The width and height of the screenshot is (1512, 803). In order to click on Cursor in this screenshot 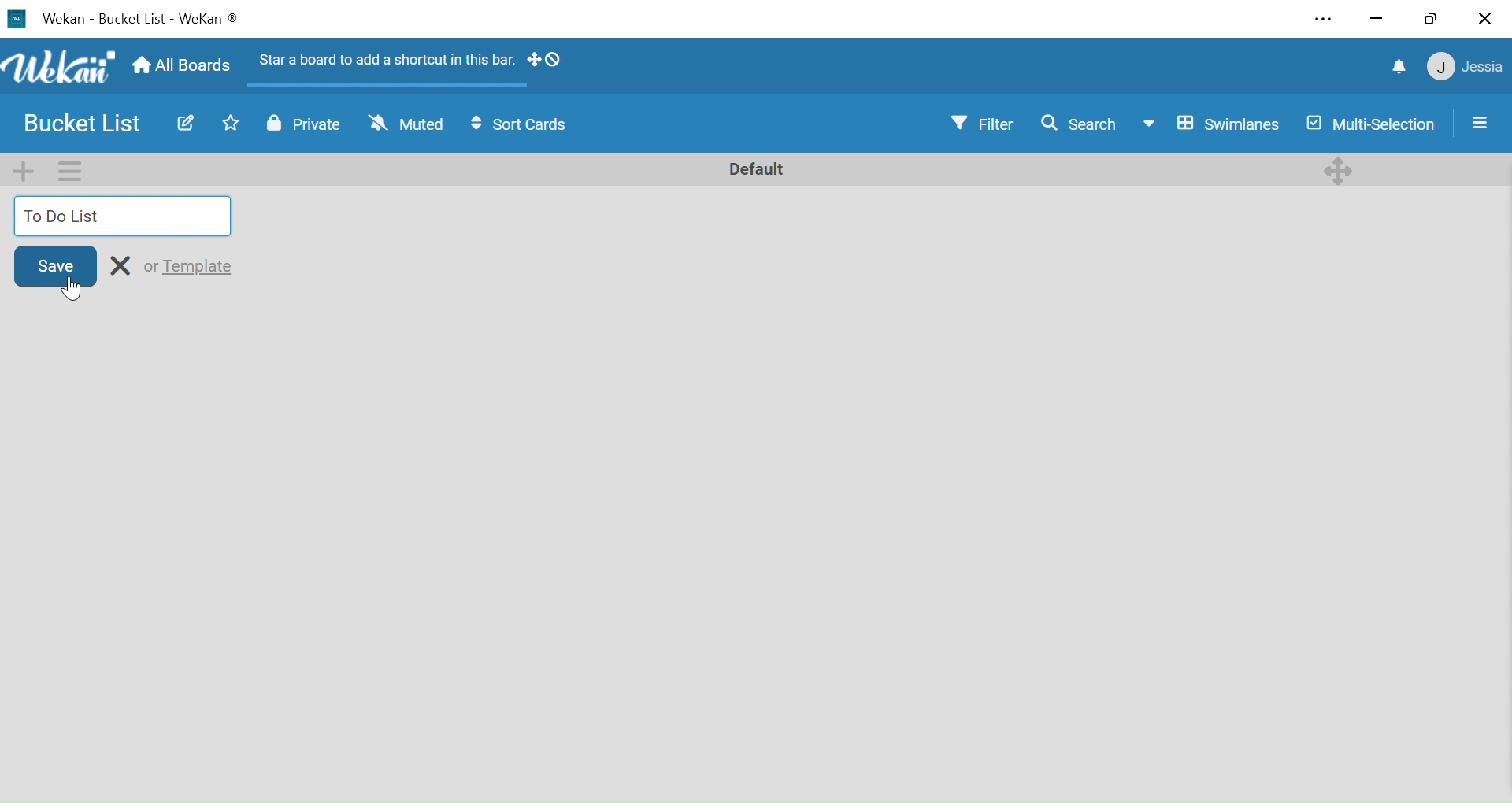, I will do `click(75, 288)`.